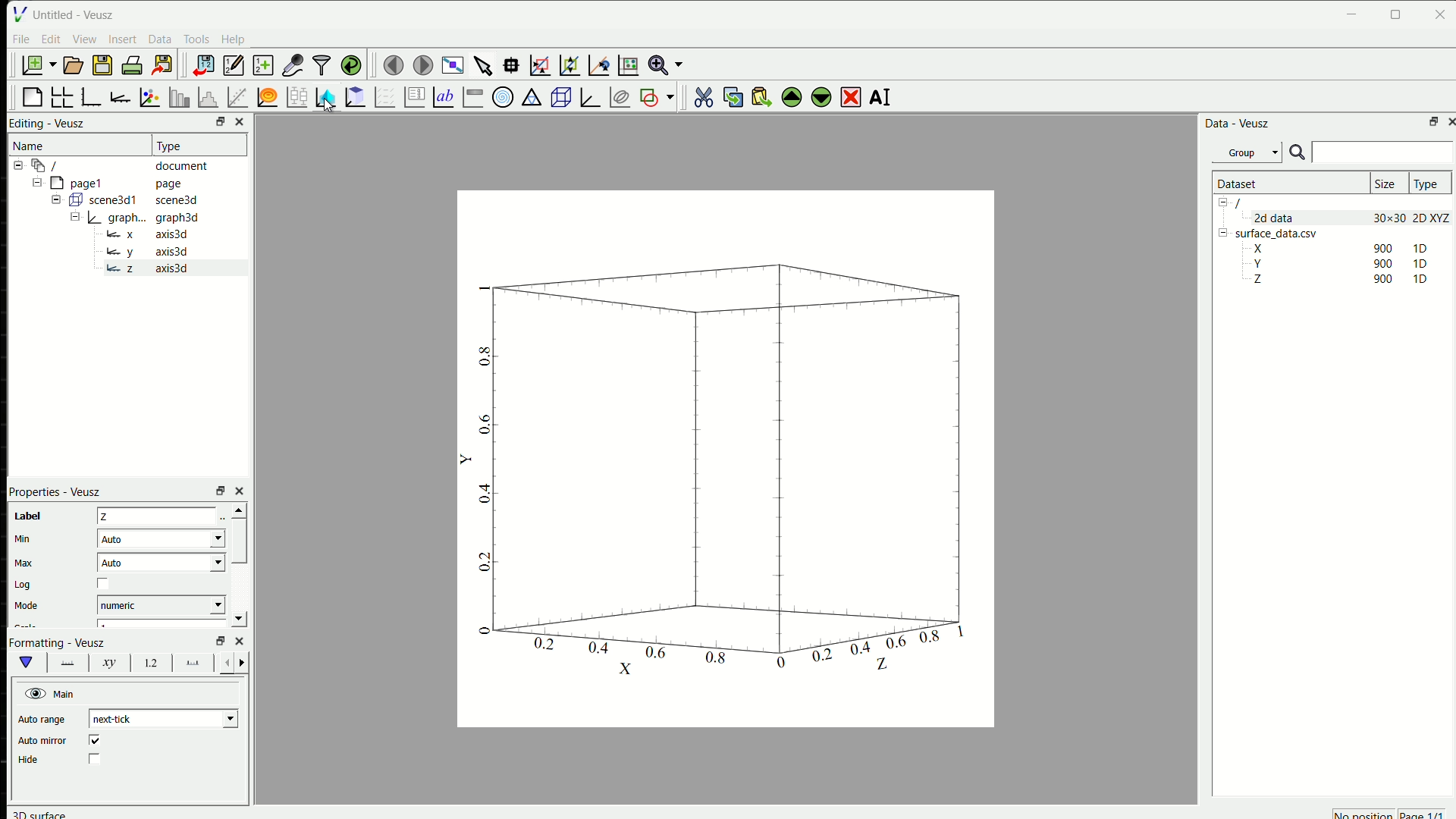 The width and height of the screenshot is (1456, 819). Describe the element at coordinates (27, 664) in the screenshot. I see `main formatting` at that location.